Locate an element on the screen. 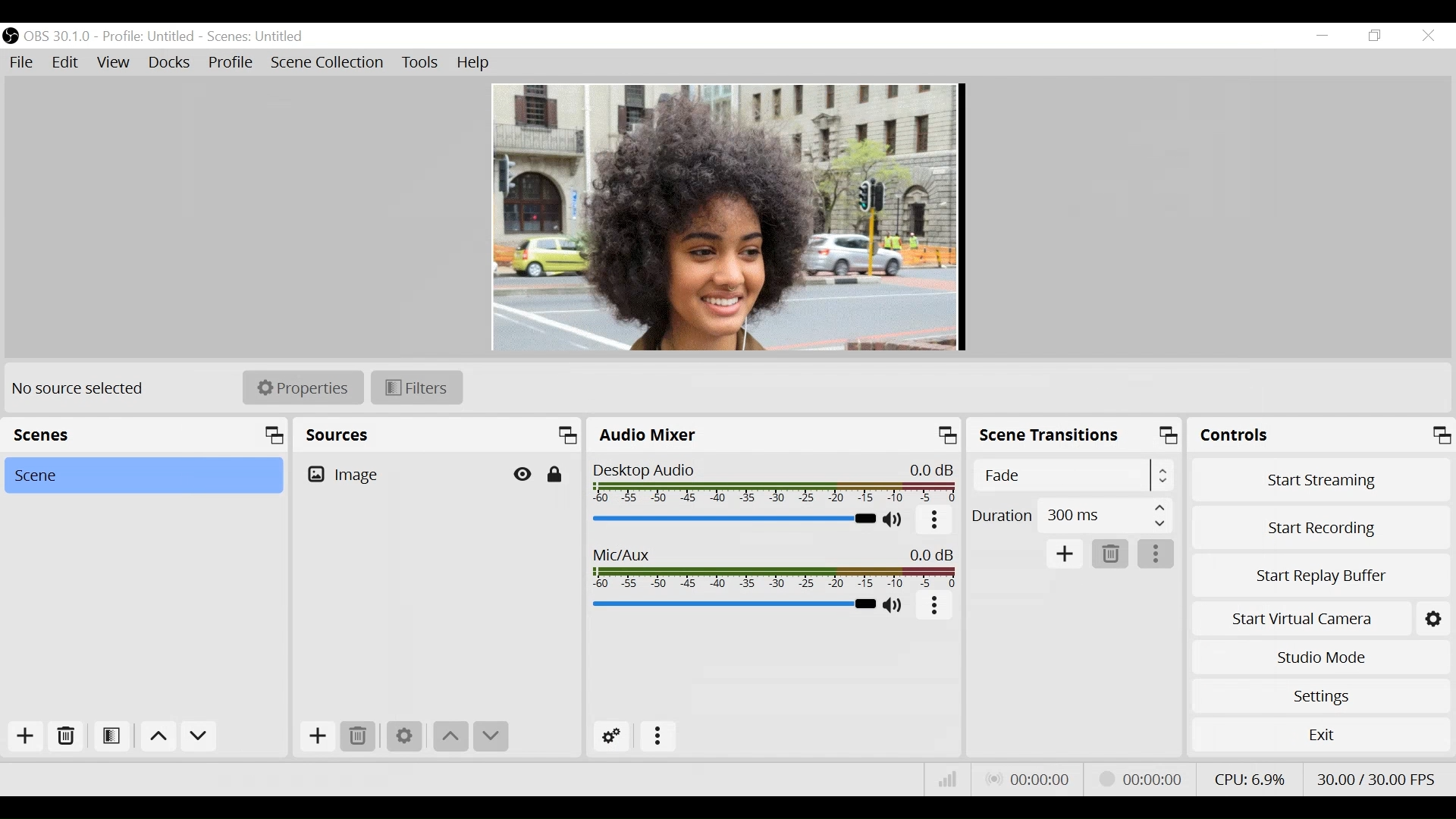  Studio Mode is located at coordinates (1319, 658).